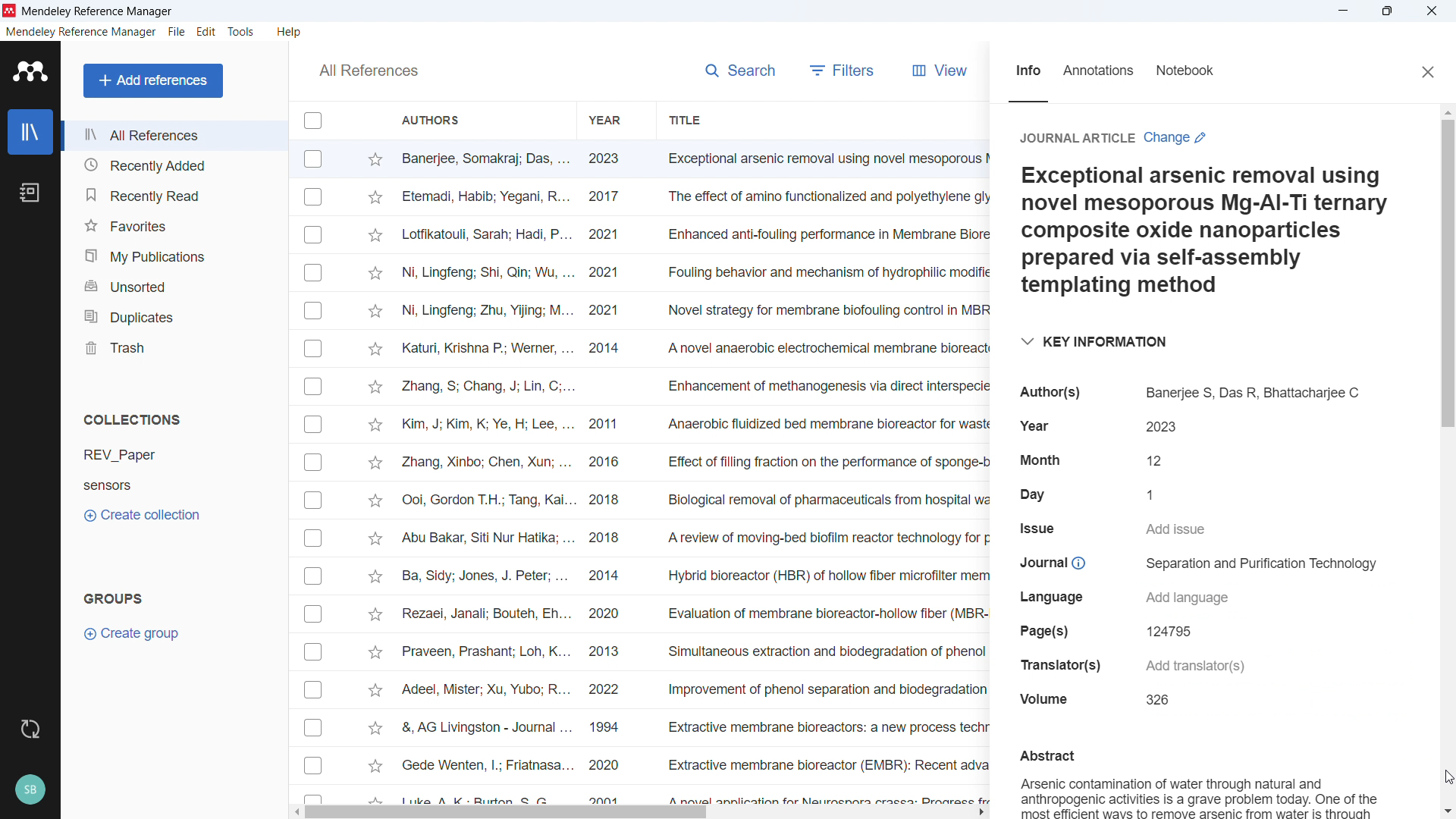  Describe the element at coordinates (509, 813) in the screenshot. I see `Horizontal scroll bar ` at that location.